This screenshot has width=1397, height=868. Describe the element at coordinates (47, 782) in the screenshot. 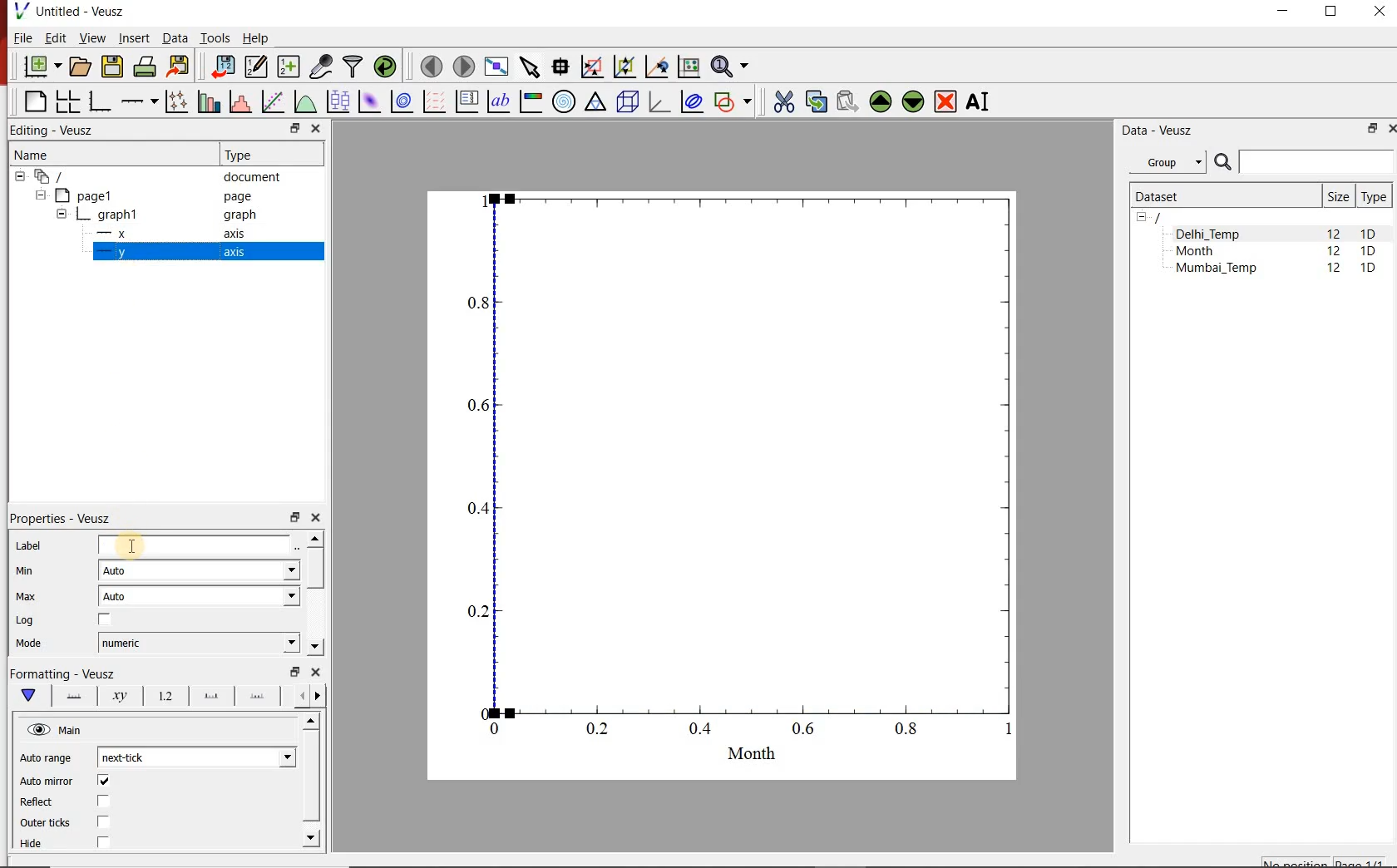

I see `Auto mirror` at that location.